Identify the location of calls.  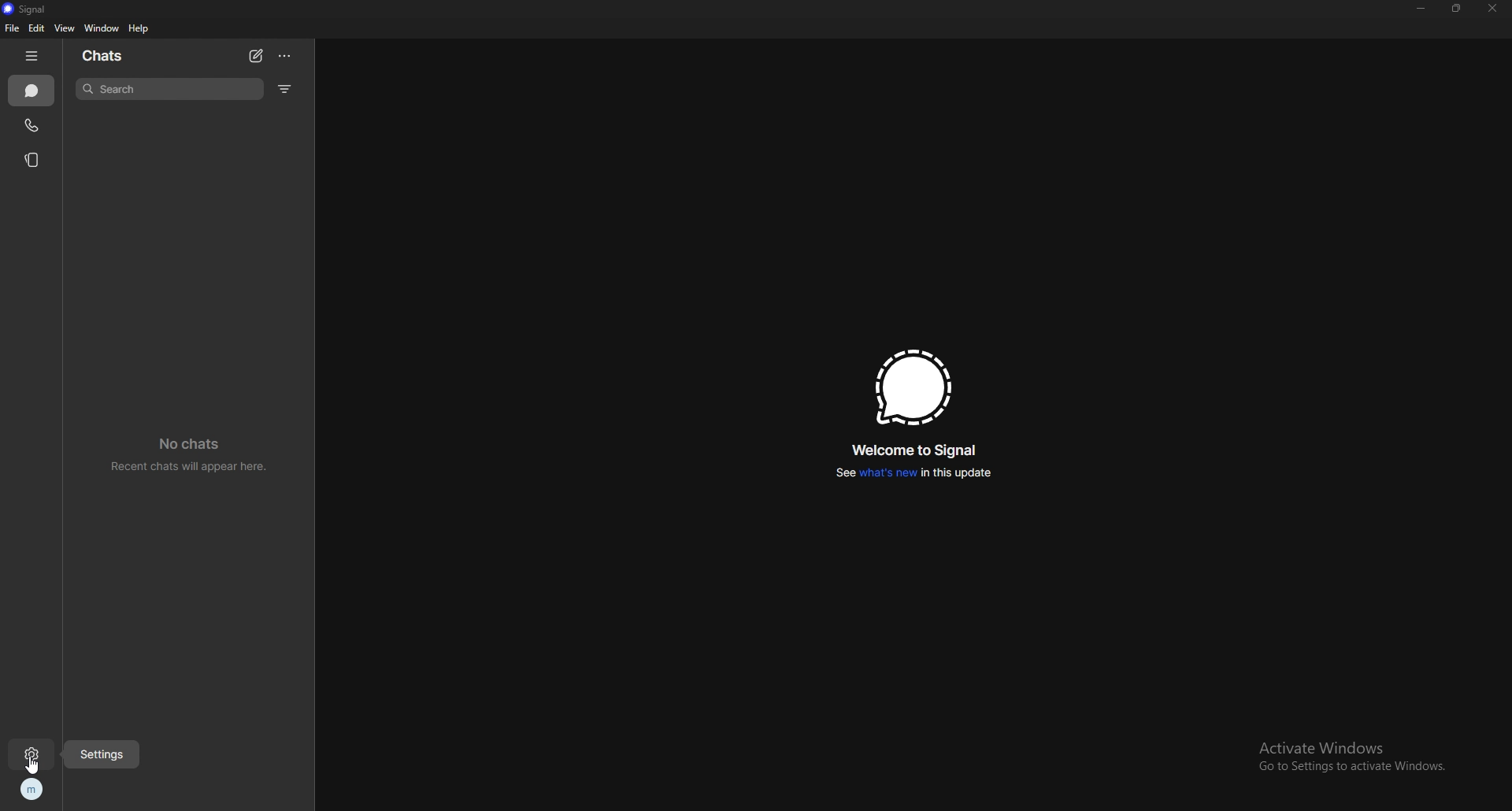
(32, 125).